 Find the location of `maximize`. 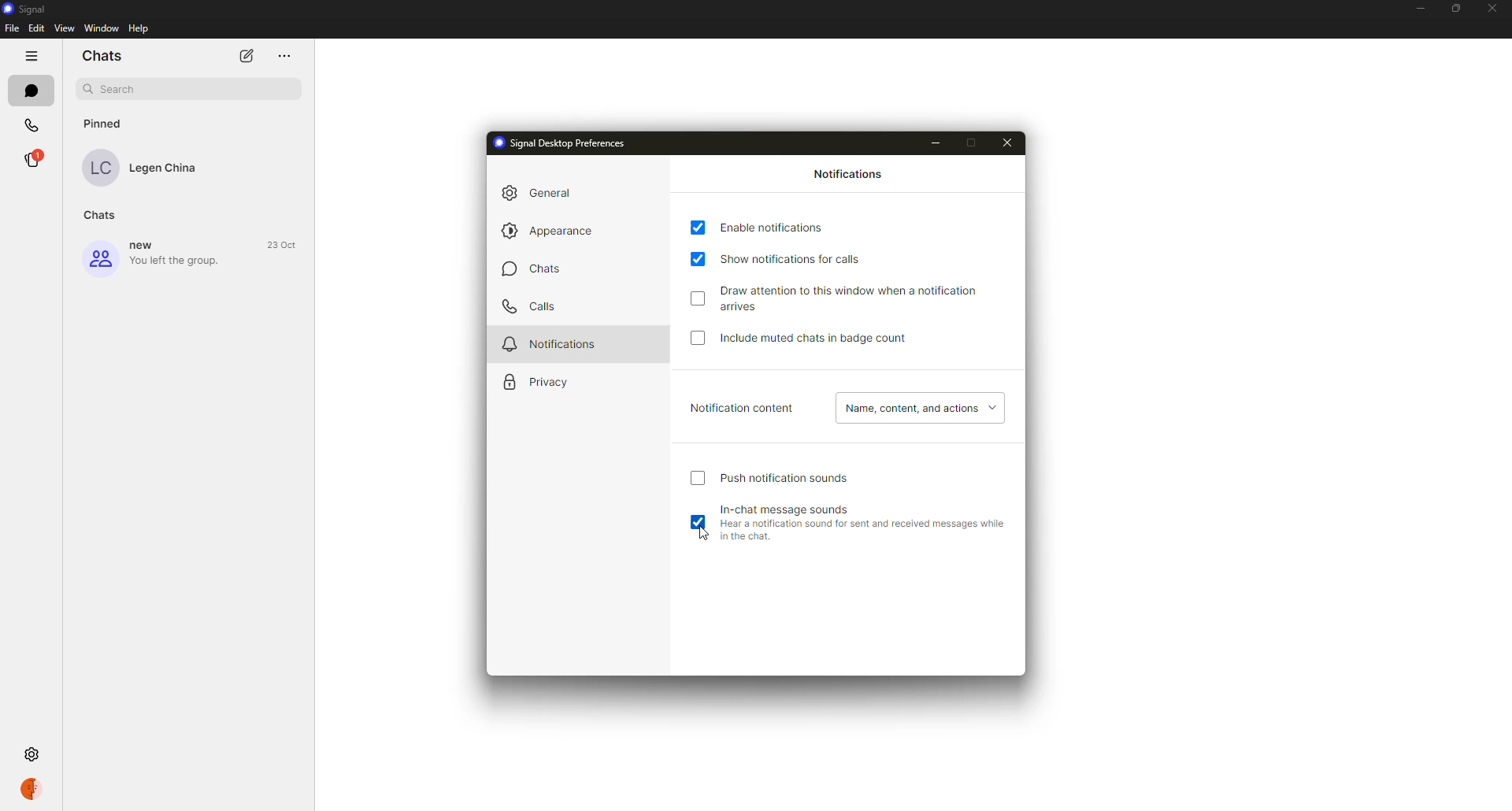

maximize is located at coordinates (973, 143).